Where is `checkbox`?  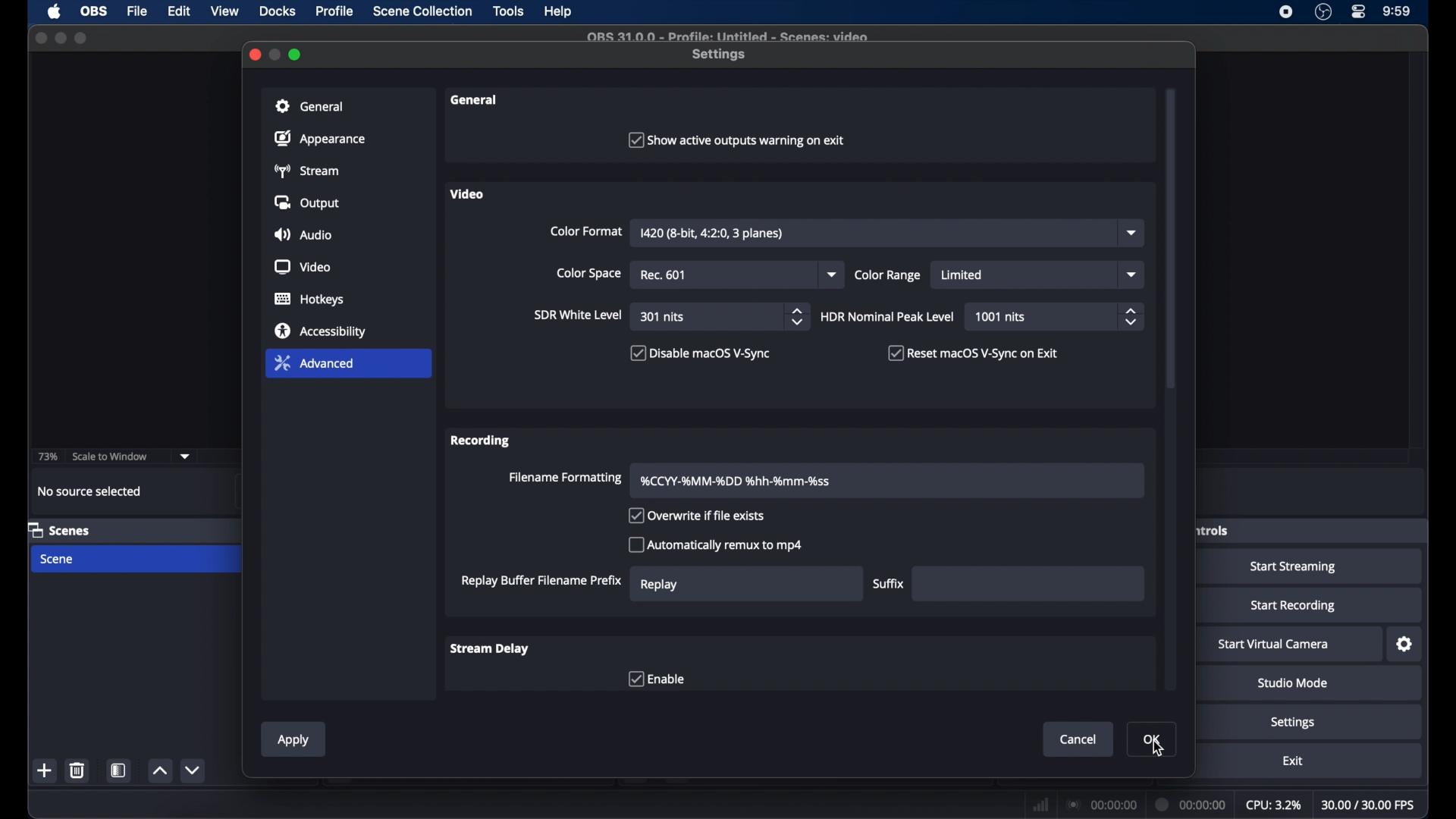 checkbox is located at coordinates (715, 544).